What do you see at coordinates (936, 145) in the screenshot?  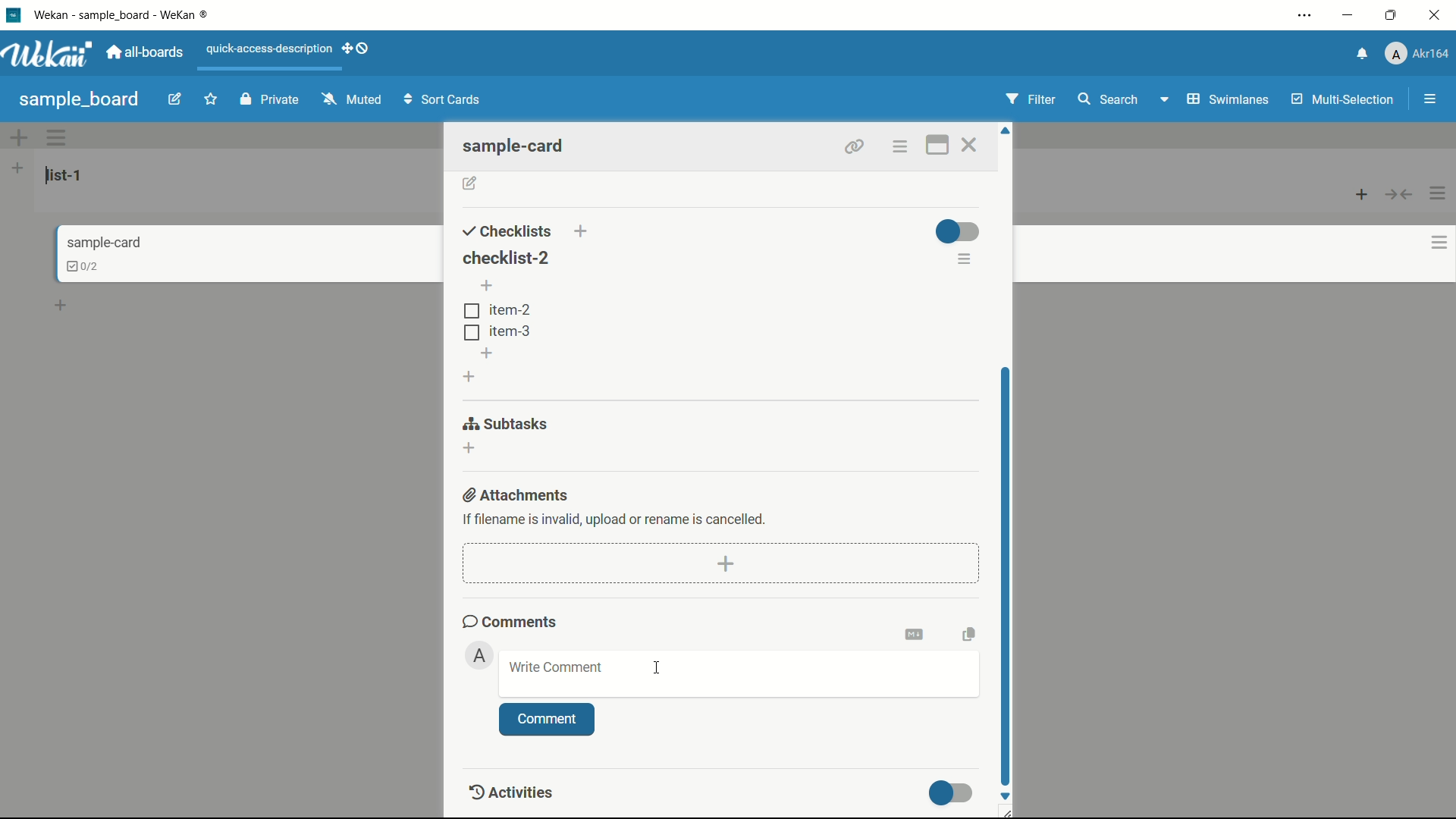 I see `maximize card` at bounding box center [936, 145].